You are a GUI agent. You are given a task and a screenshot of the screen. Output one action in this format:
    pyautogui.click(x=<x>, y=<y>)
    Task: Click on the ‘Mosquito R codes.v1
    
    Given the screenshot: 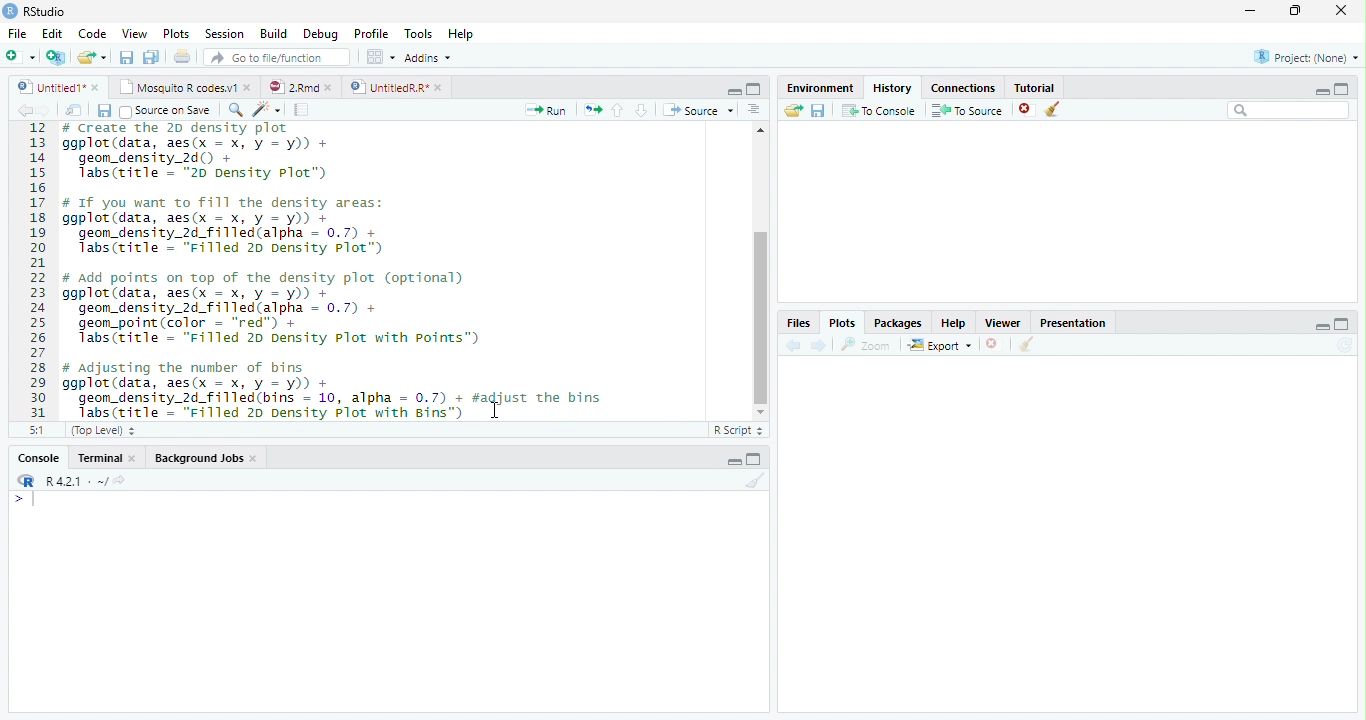 What is the action you would take?
    pyautogui.click(x=178, y=87)
    